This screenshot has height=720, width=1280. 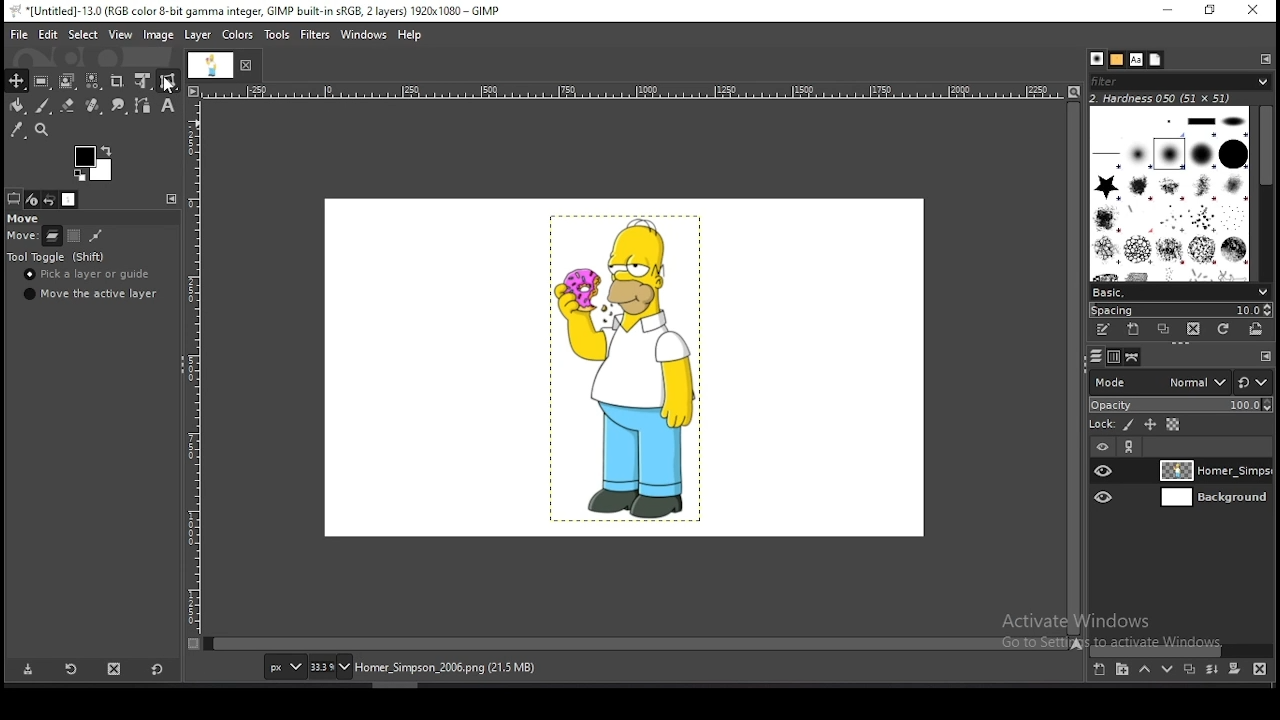 I want to click on save tool preset, so click(x=28, y=670).